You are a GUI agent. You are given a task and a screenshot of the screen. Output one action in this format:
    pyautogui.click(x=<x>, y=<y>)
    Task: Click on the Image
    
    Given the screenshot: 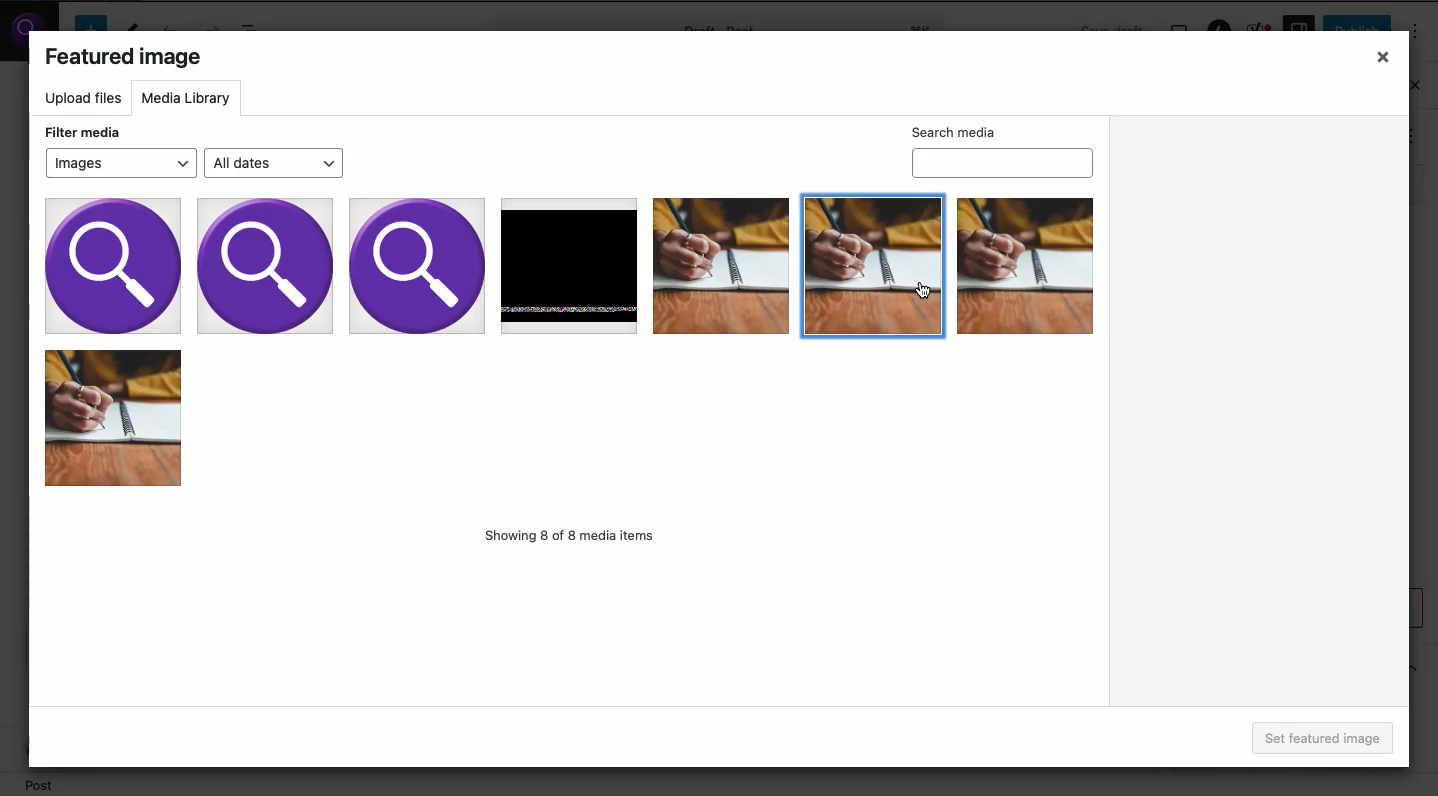 What is the action you would take?
    pyautogui.click(x=567, y=264)
    